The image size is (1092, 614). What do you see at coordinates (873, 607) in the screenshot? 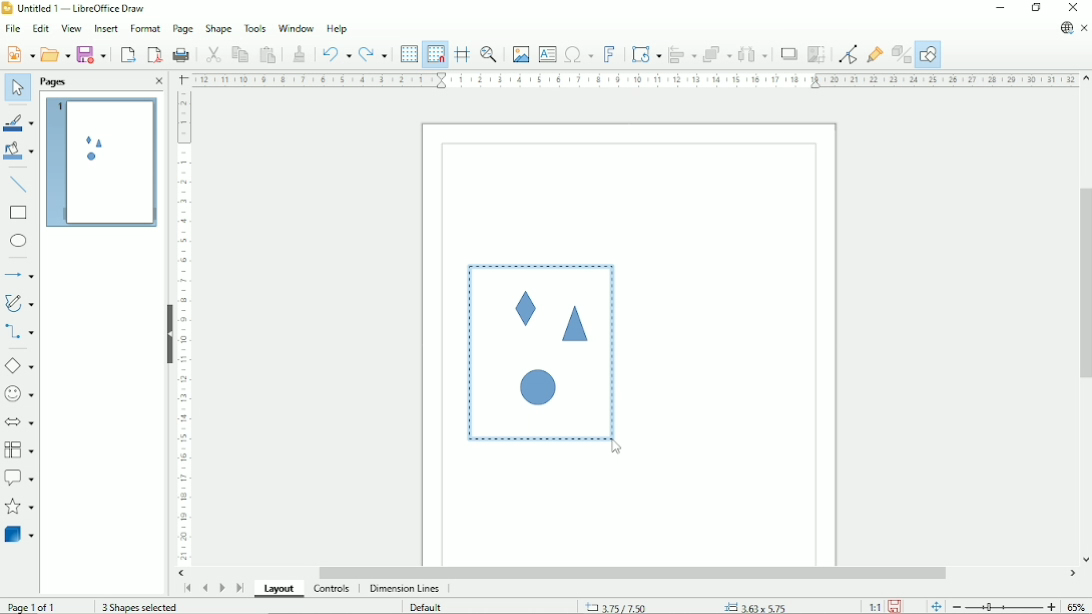
I see `Scaling factor` at bounding box center [873, 607].